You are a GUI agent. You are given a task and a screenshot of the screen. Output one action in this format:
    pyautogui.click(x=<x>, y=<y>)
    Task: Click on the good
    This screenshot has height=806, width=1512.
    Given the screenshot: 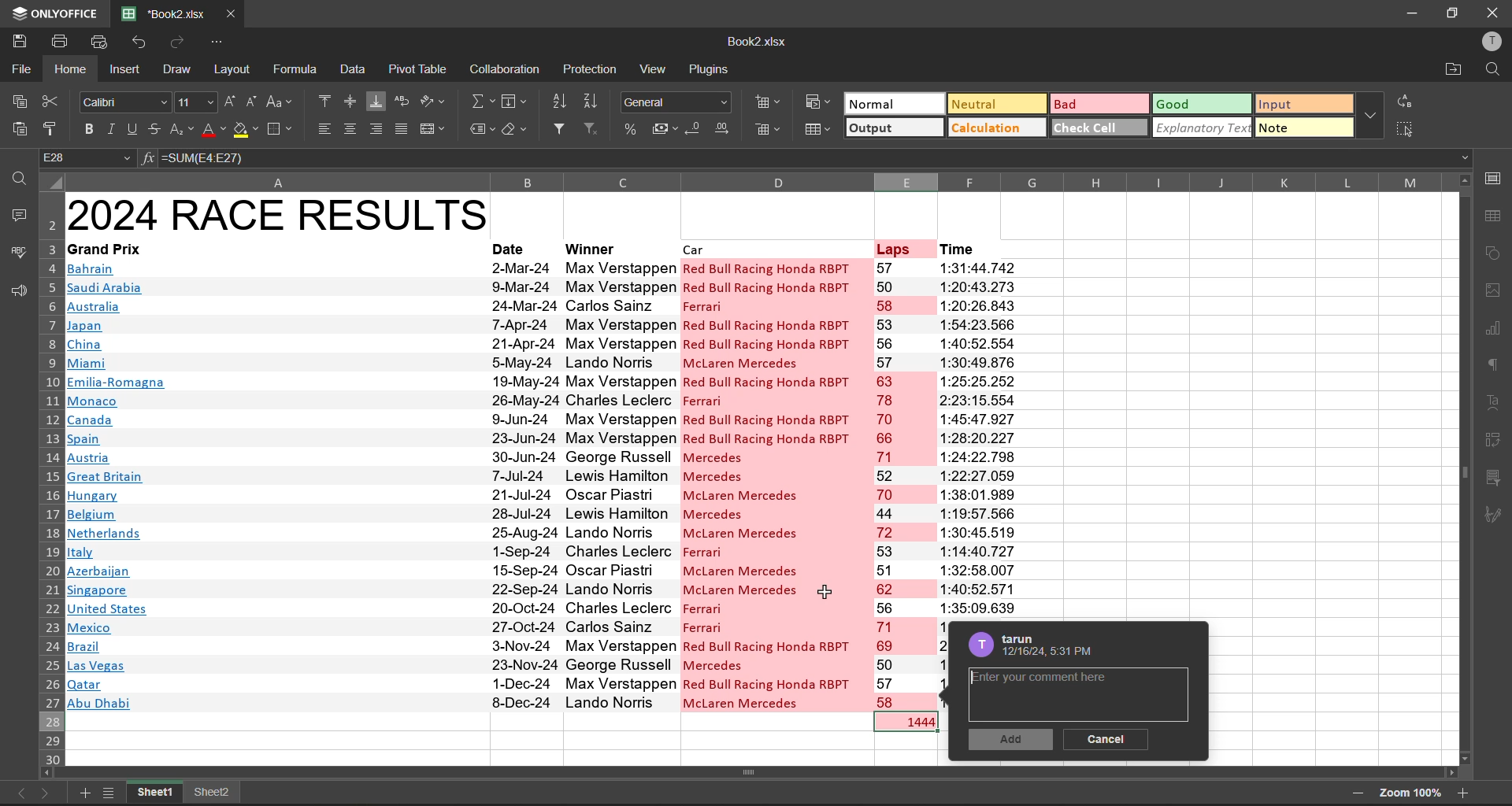 What is the action you would take?
    pyautogui.click(x=1200, y=103)
    